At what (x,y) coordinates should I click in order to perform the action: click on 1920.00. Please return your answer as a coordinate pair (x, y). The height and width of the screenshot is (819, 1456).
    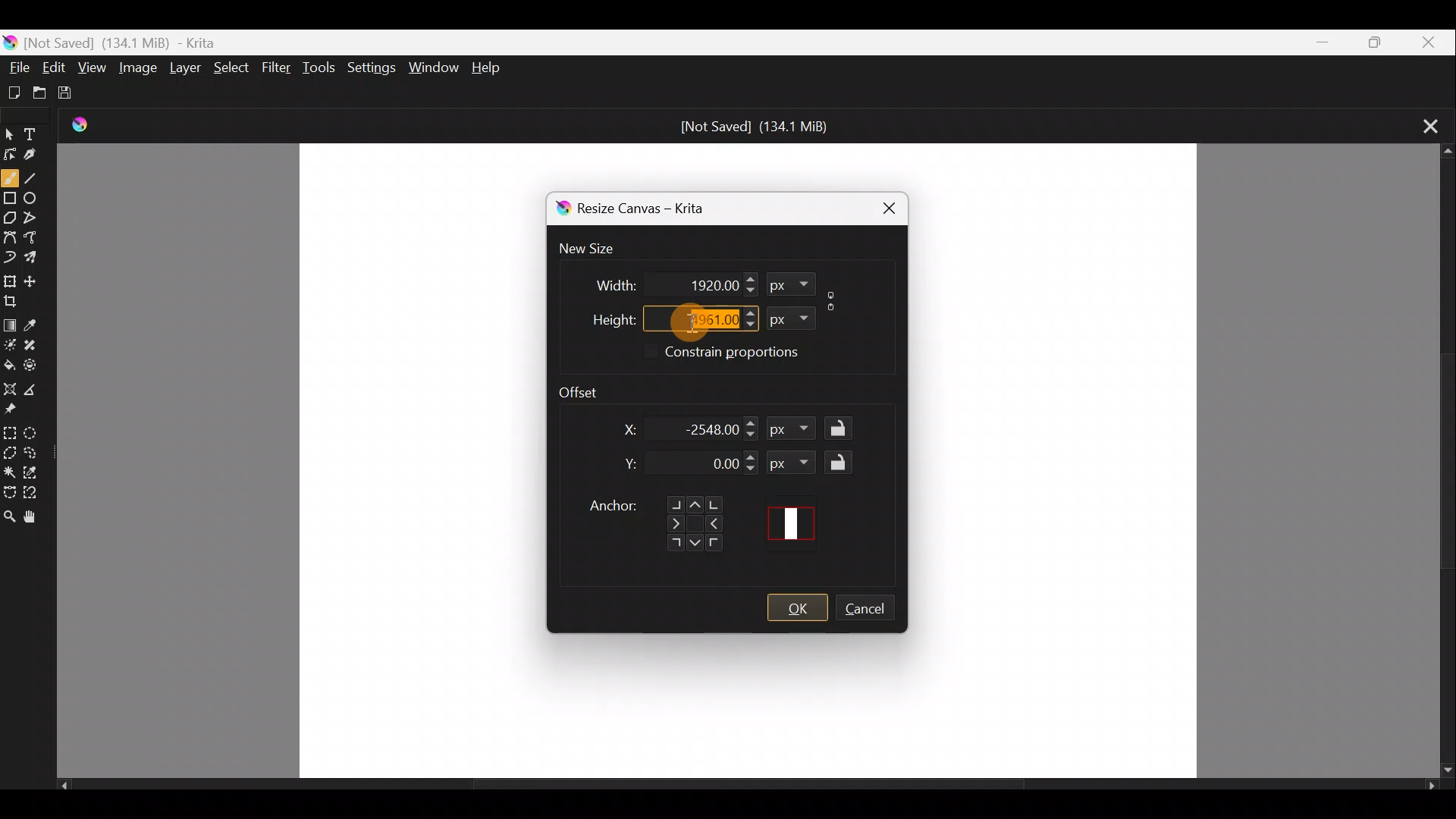
    Looking at the image, I should click on (692, 283).